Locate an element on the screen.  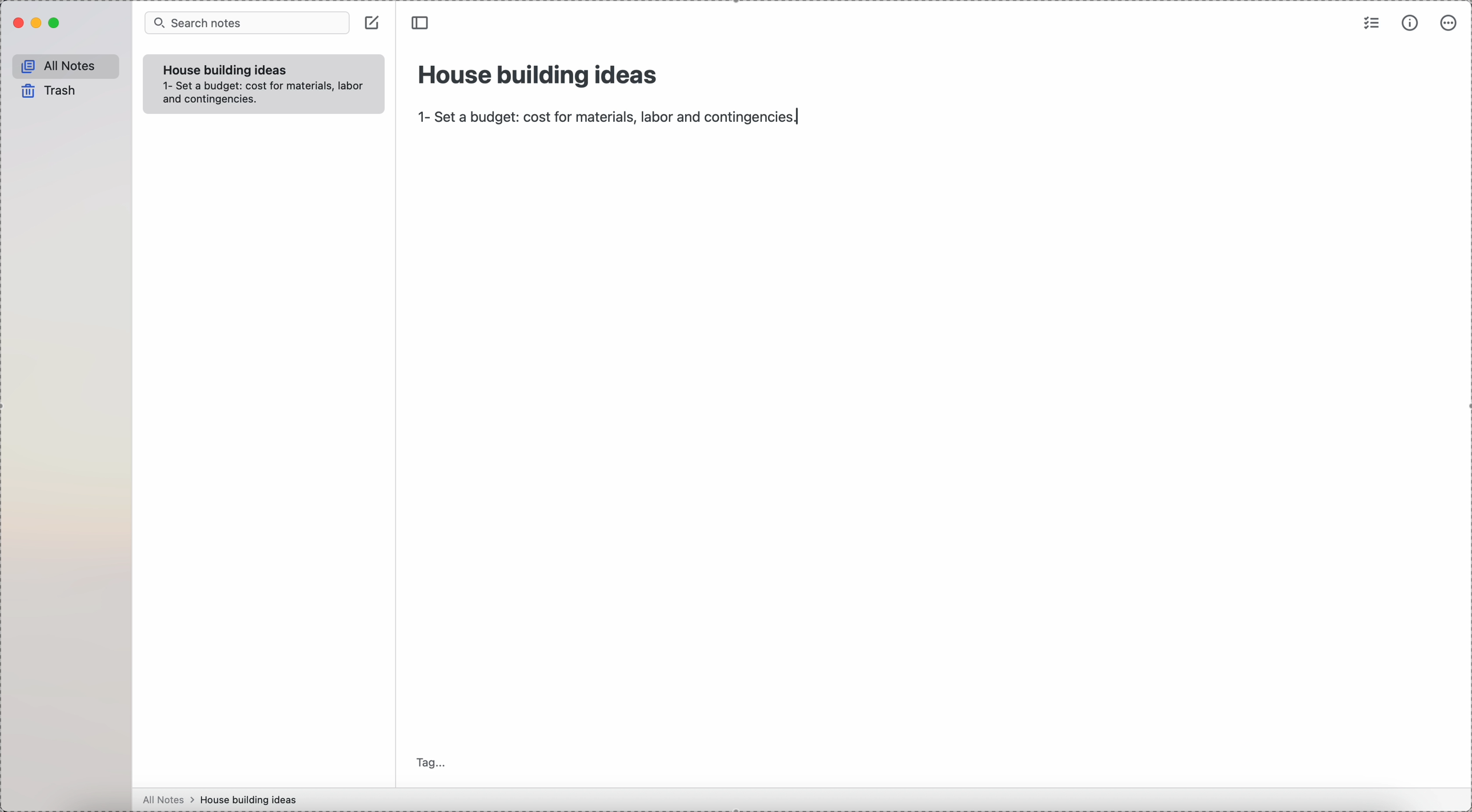
trash is located at coordinates (47, 91).